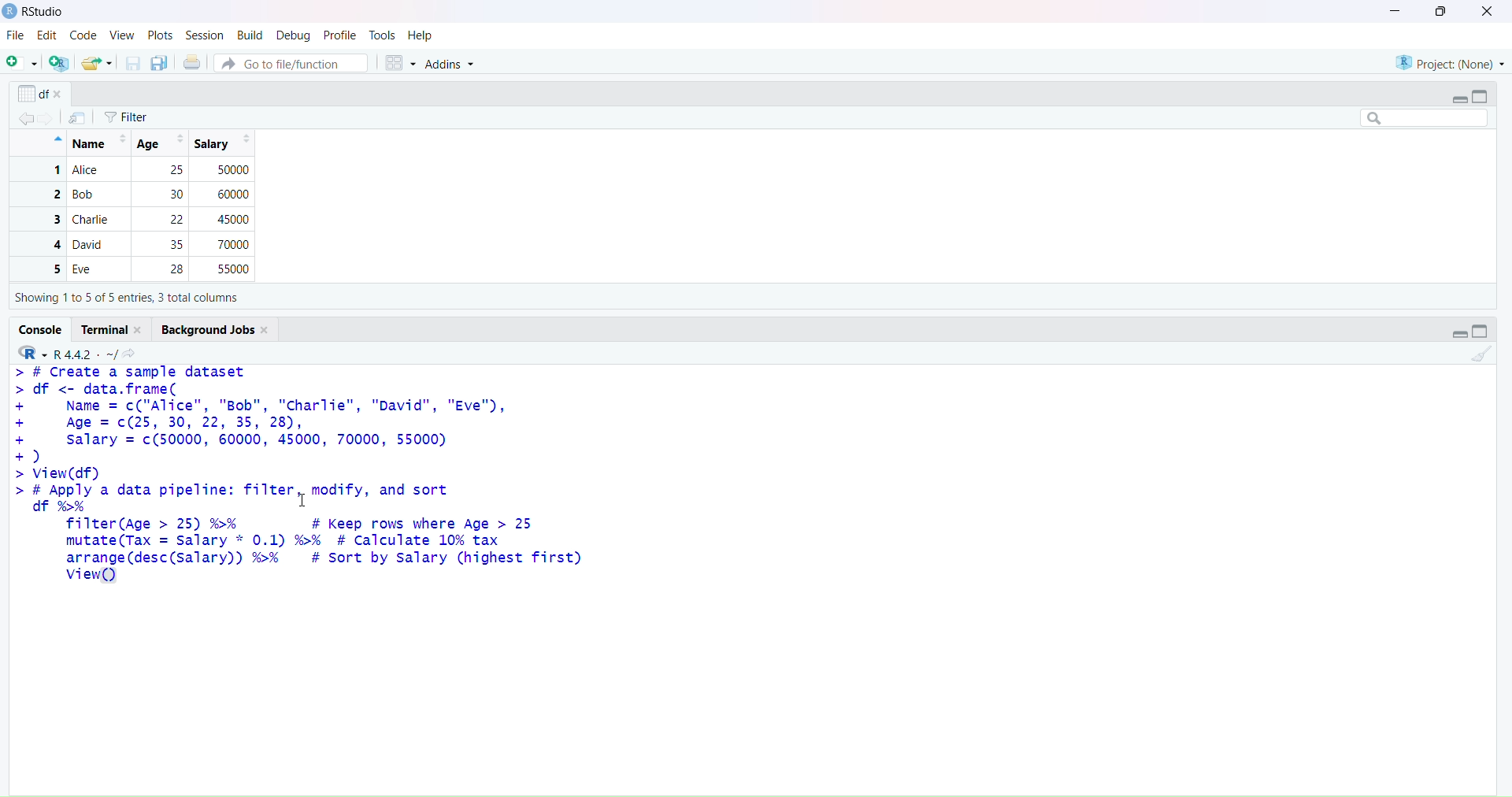 This screenshot has width=1512, height=797. What do you see at coordinates (150, 205) in the screenshot?
I see `Name | Age| Salary 1 Alice 25 500002 Bob 30 600003 Charlie 2 450004 David 35 700005 Eve 28 55000` at bounding box center [150, 205].